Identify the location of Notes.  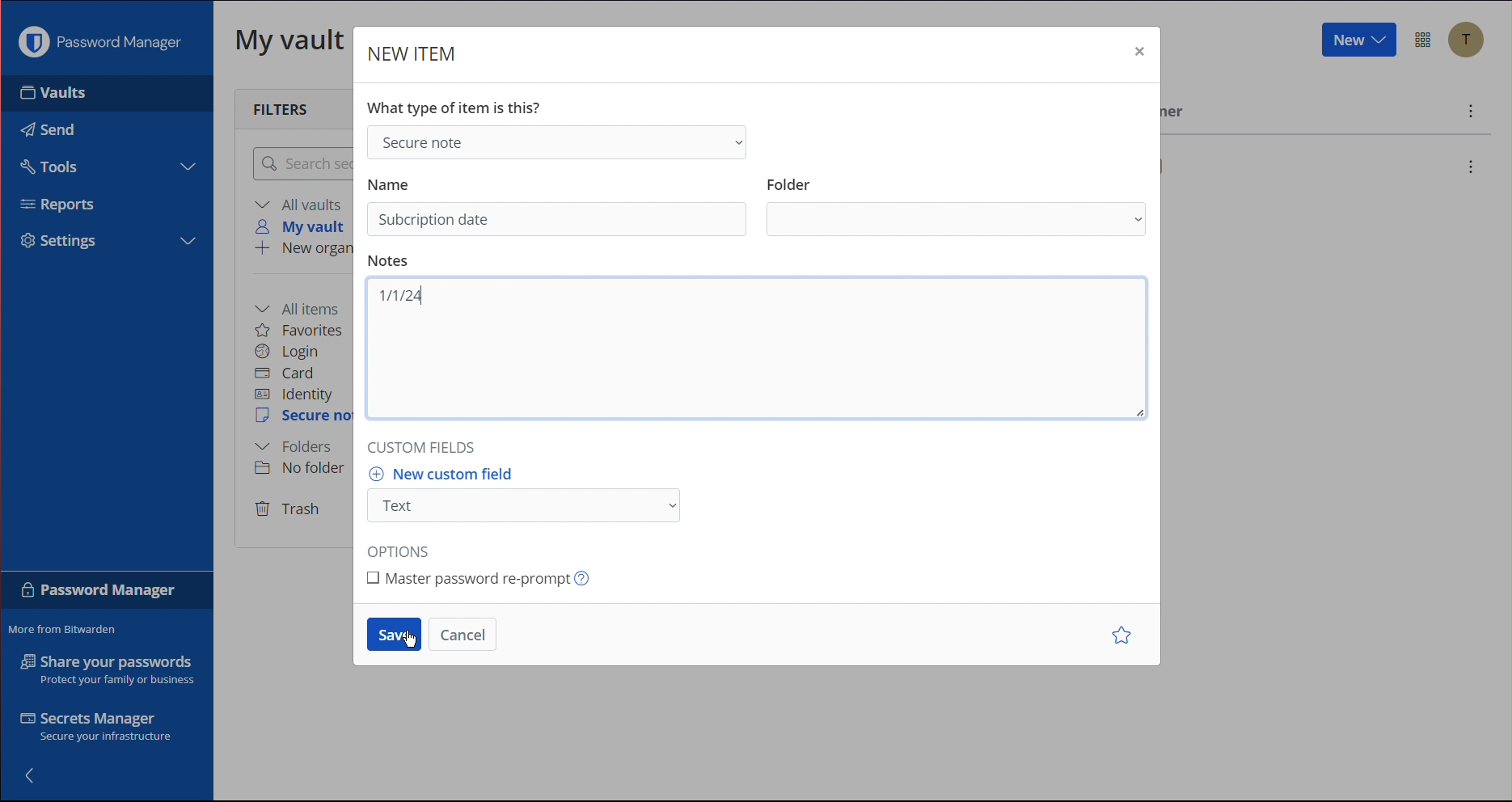
(391, 261).